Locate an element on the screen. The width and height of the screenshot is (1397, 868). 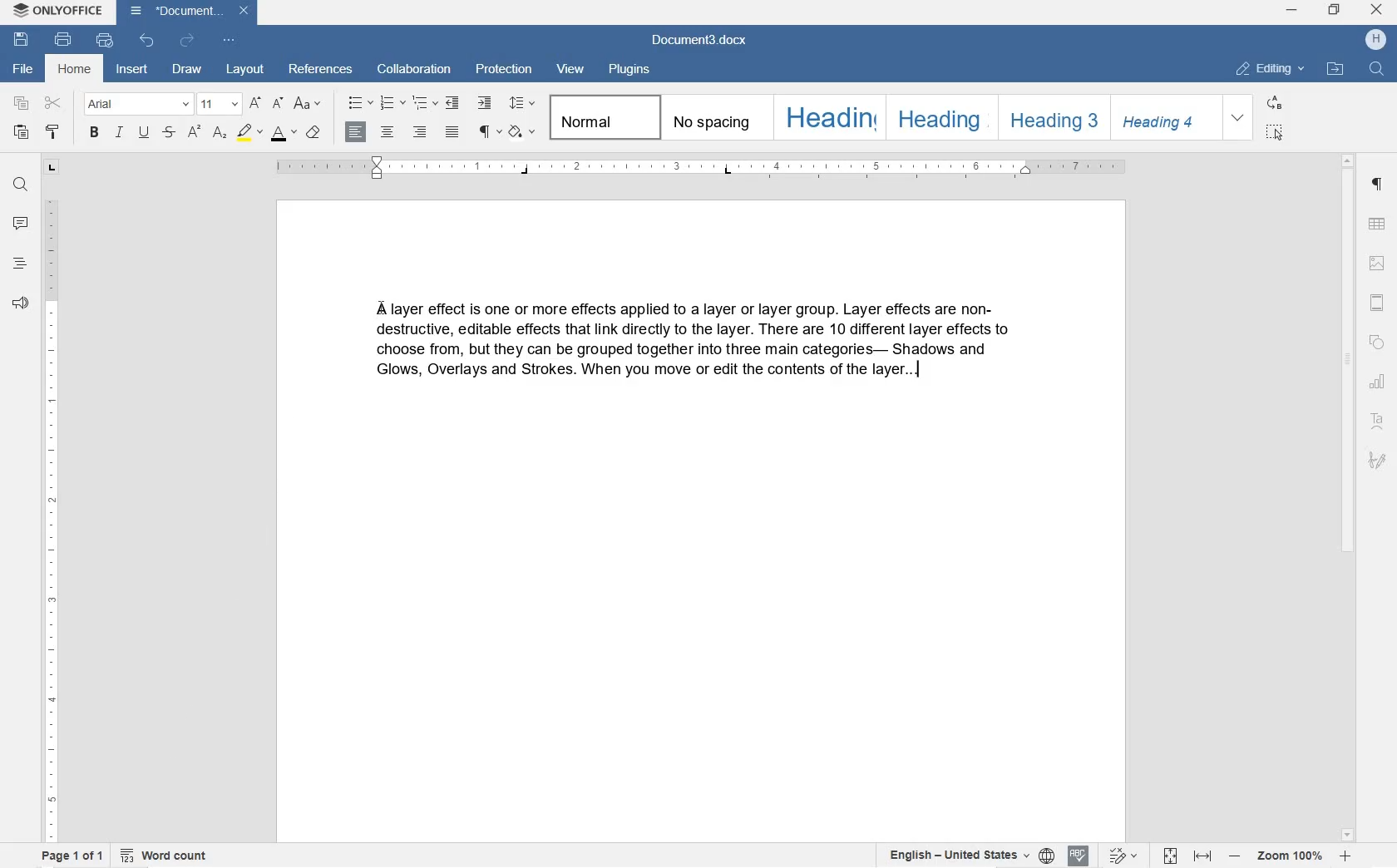
HEADING 1 is located at coordinates (828, 116).